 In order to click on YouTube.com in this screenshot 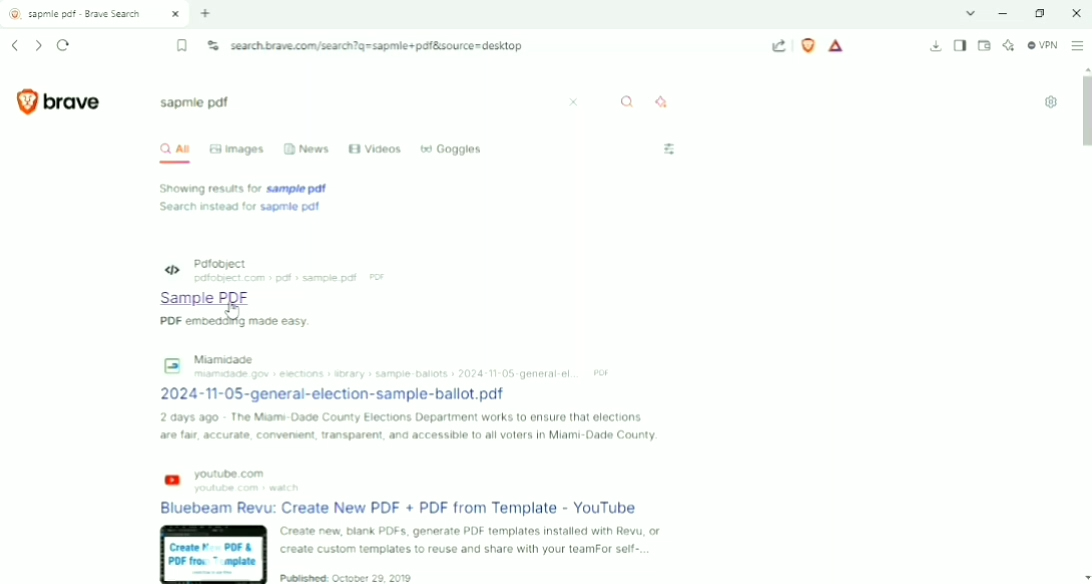, I will do `click(238, 472)`.